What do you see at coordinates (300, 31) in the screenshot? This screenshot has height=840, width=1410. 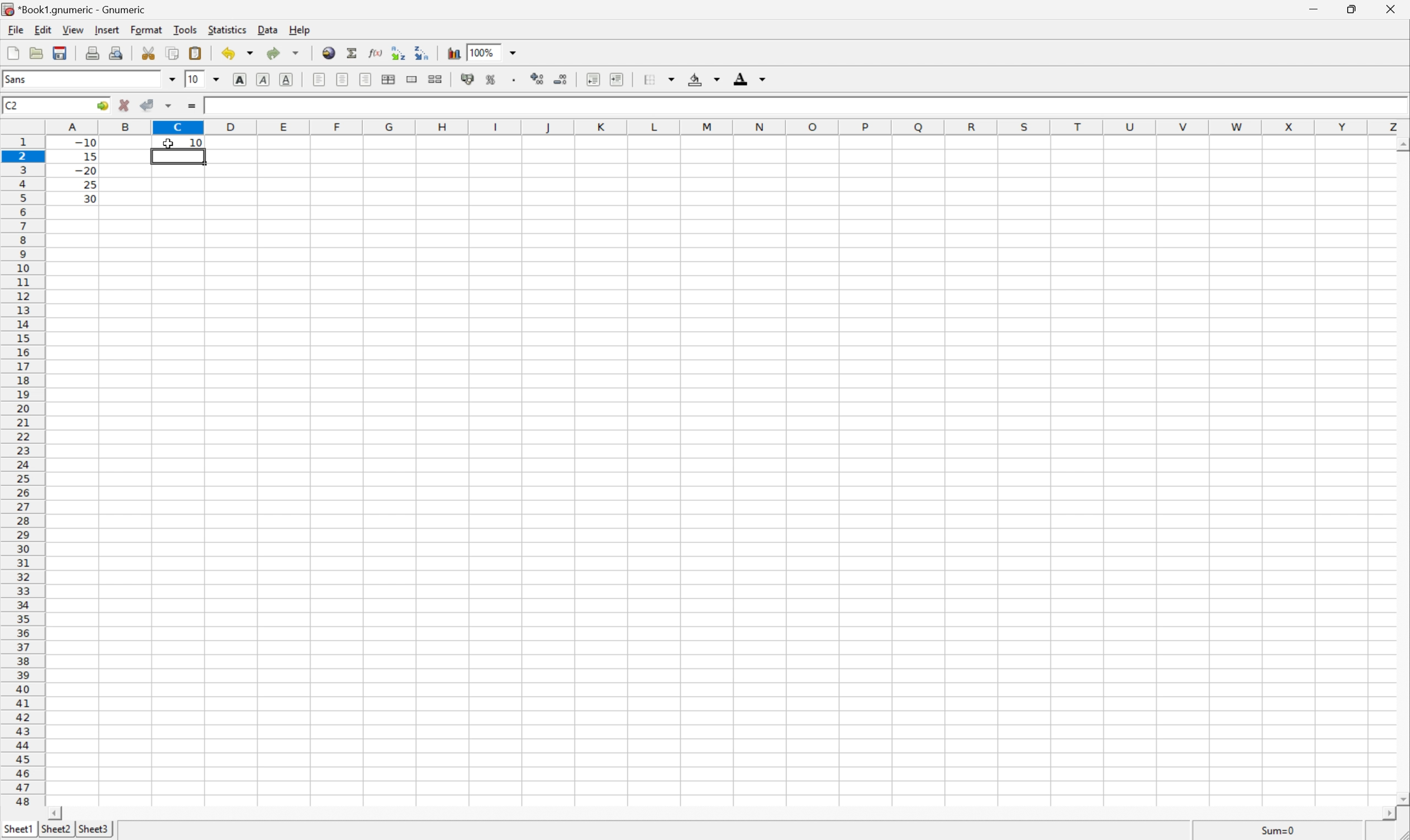 I see `Help` at bounding box center [300, 31].